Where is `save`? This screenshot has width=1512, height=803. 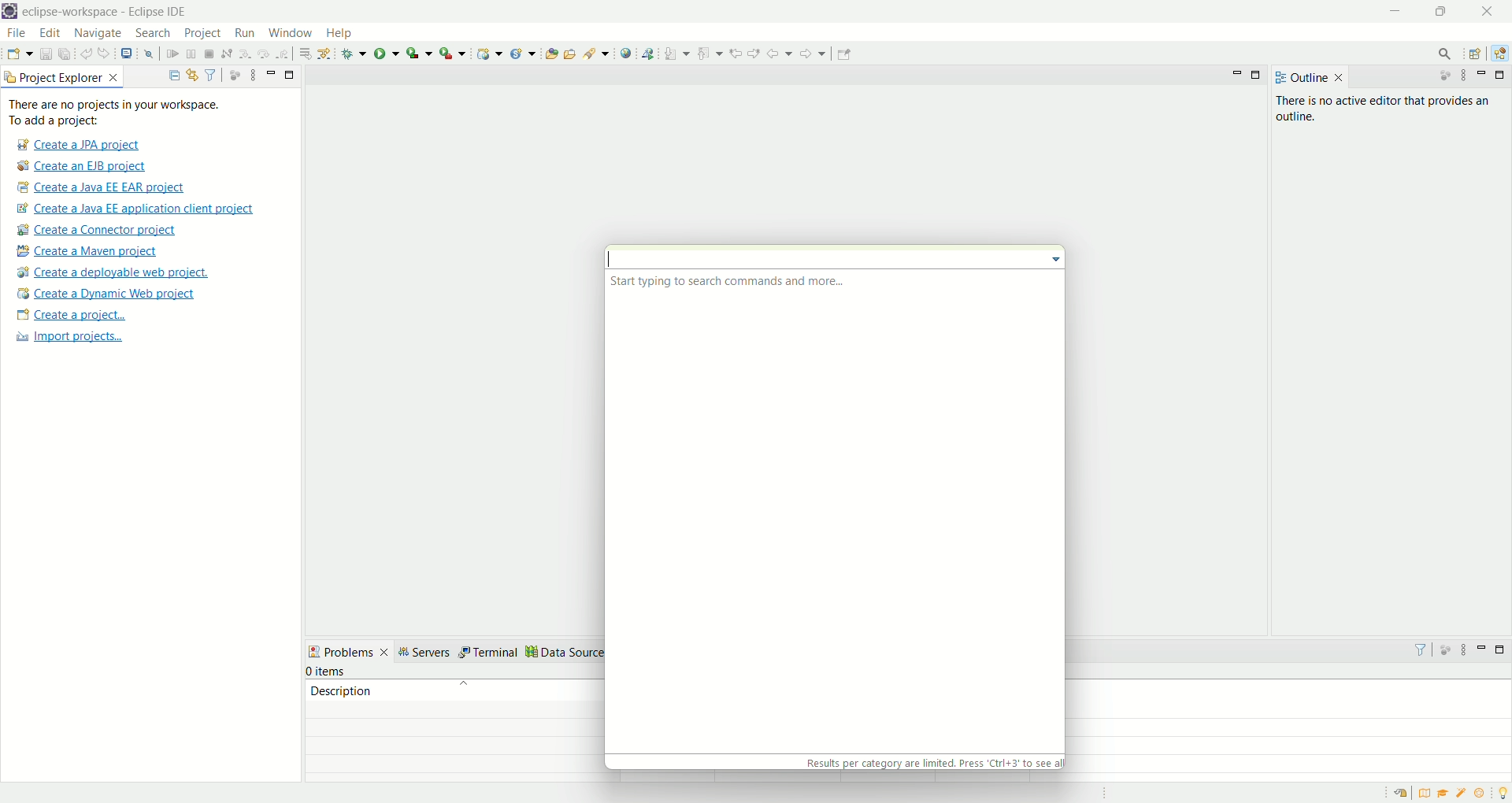
save is located at coordinates (42, 54).